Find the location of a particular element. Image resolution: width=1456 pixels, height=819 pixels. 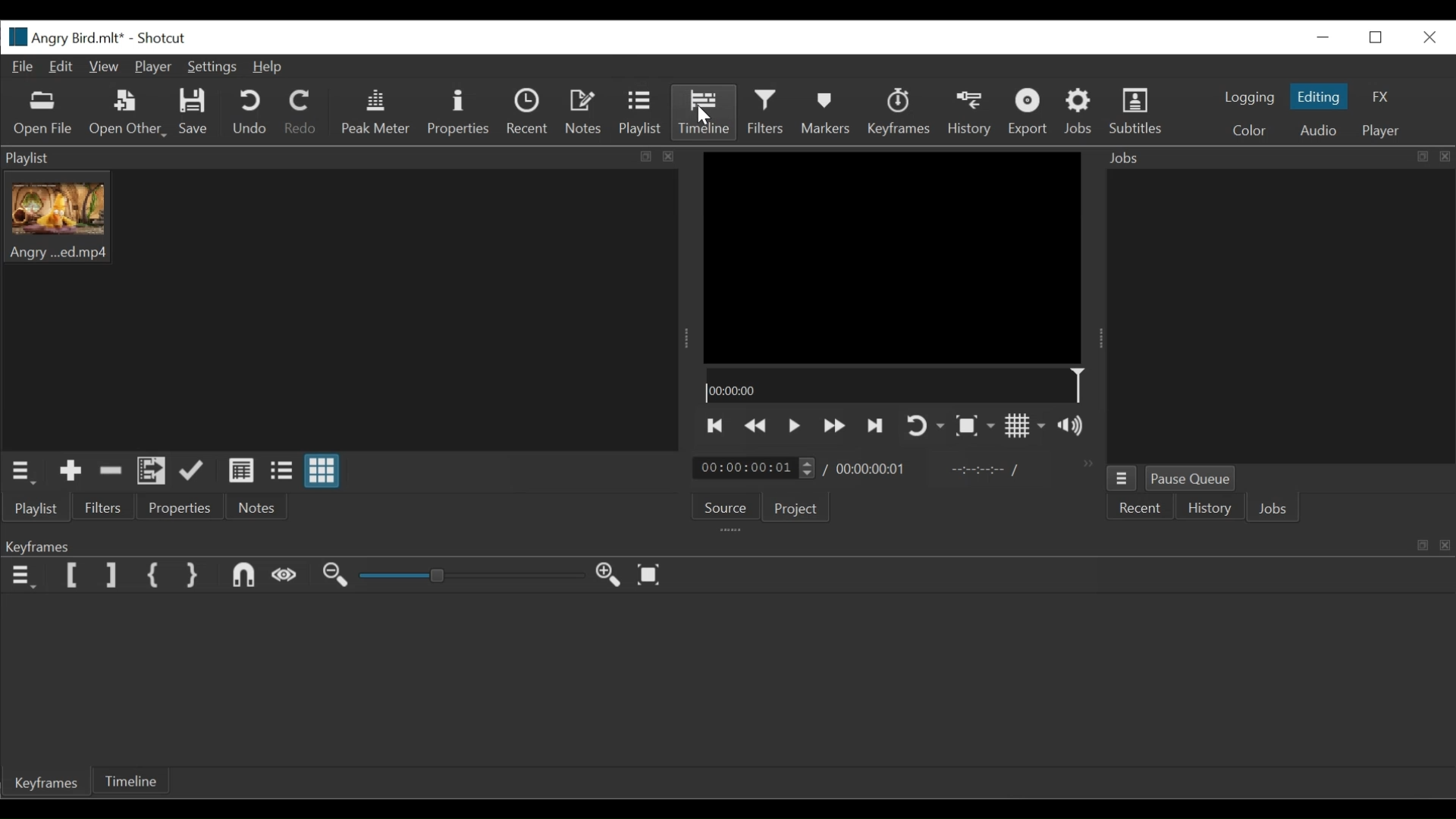

Zoom keyframe fit is located at coordinates (648, 576).